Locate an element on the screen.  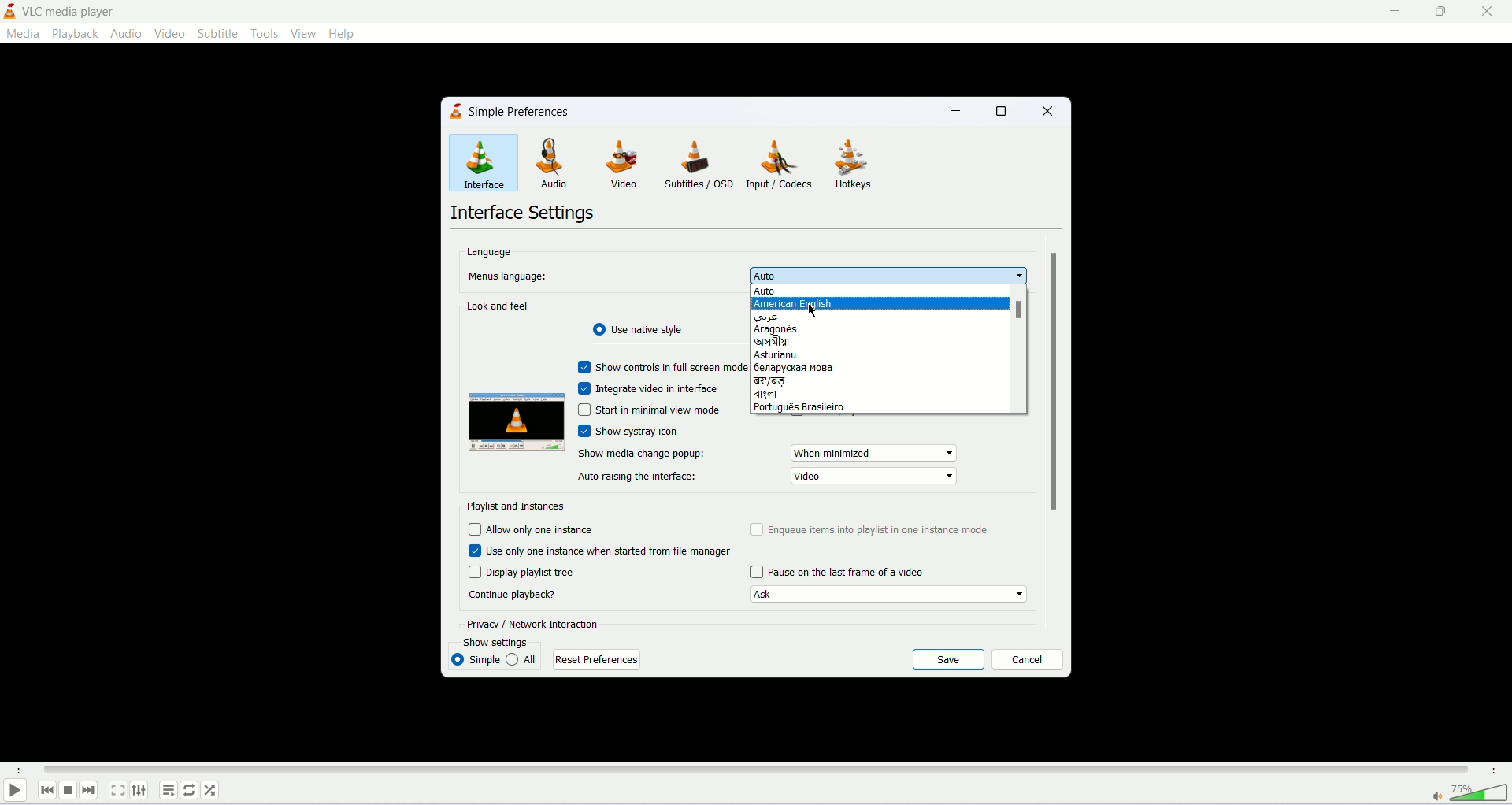
volume bar is located at coordinates (1480, 792).